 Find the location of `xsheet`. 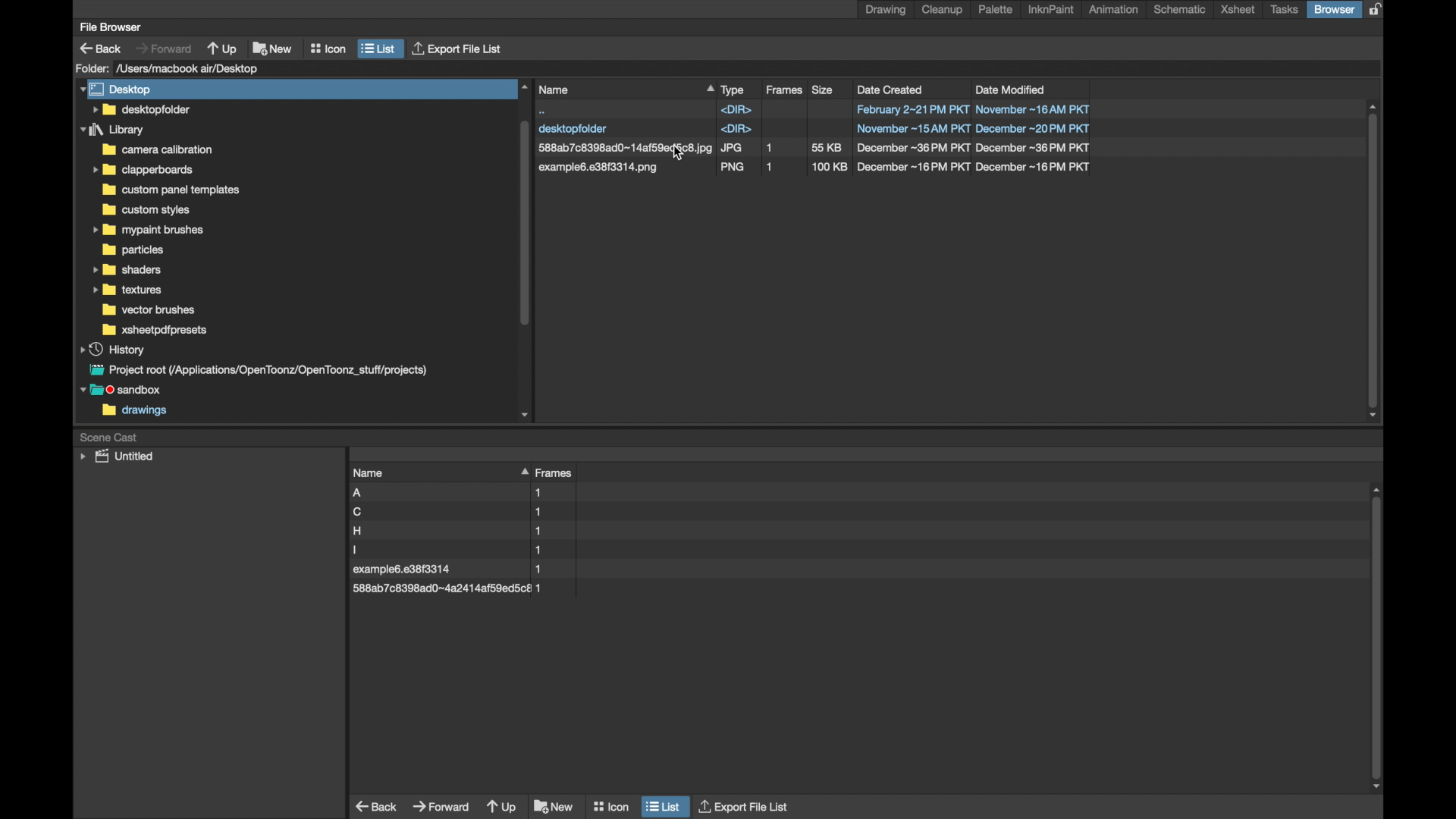

xsheet is located at coordinates (1238, 10).